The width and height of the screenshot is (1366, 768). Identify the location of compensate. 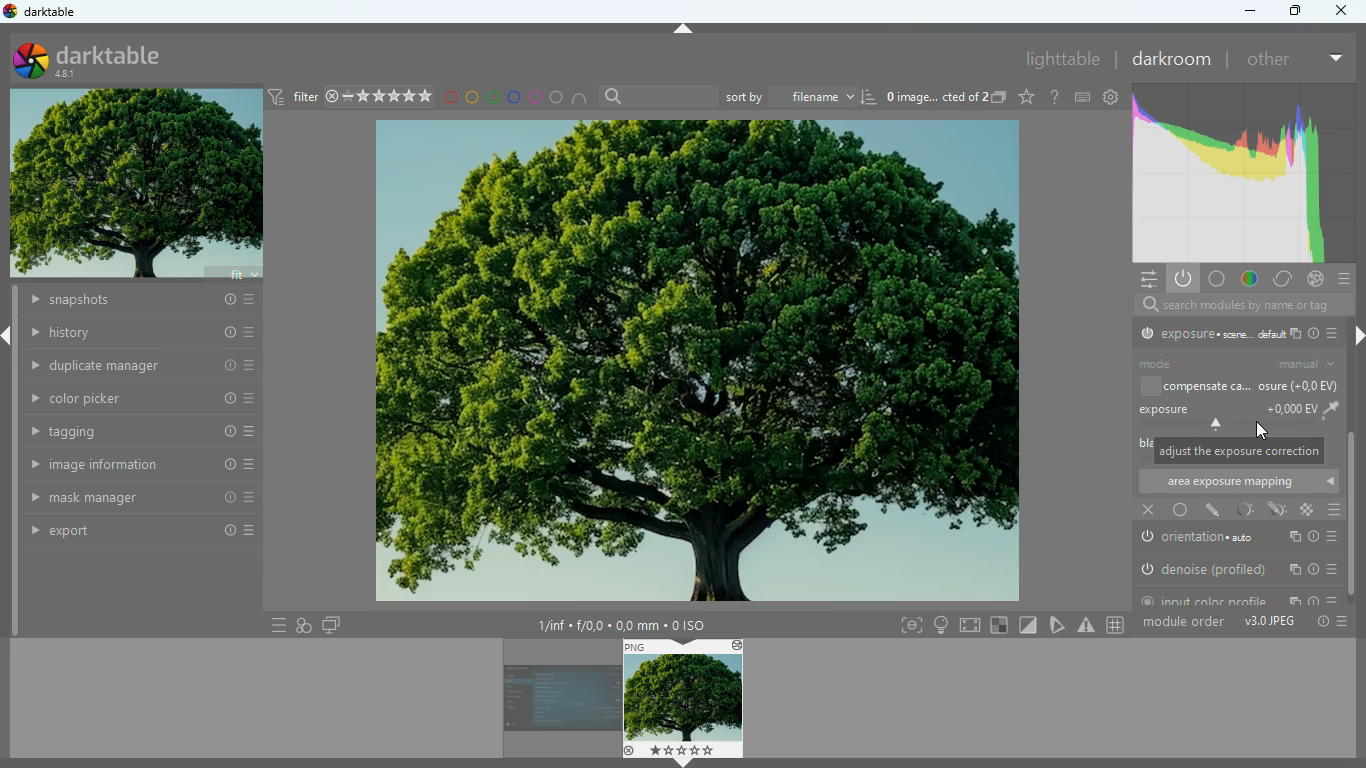
(1245, 385).